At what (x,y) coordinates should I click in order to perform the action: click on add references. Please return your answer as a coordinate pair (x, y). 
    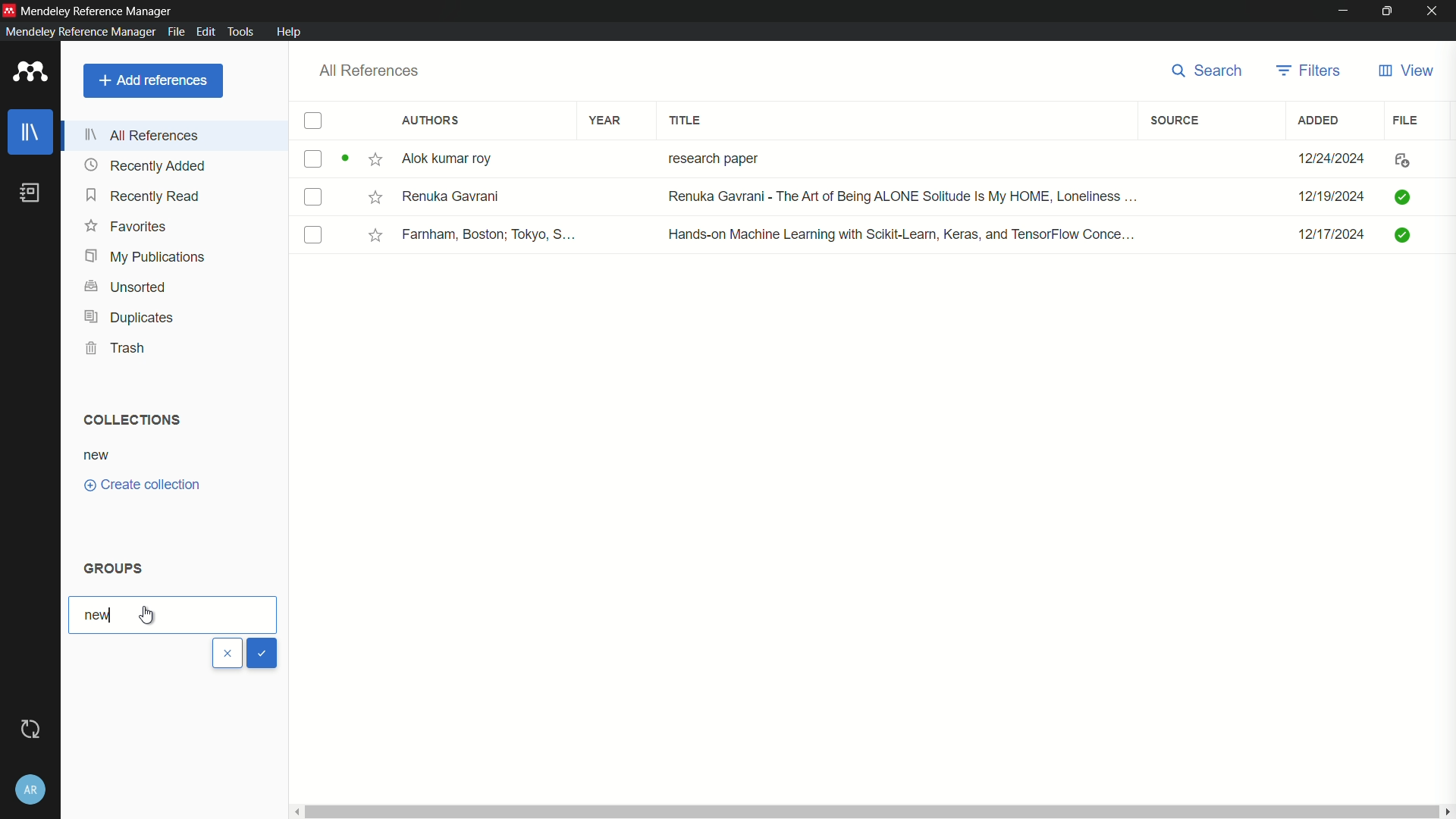
    Looking at the image, I should click on (153, 80).